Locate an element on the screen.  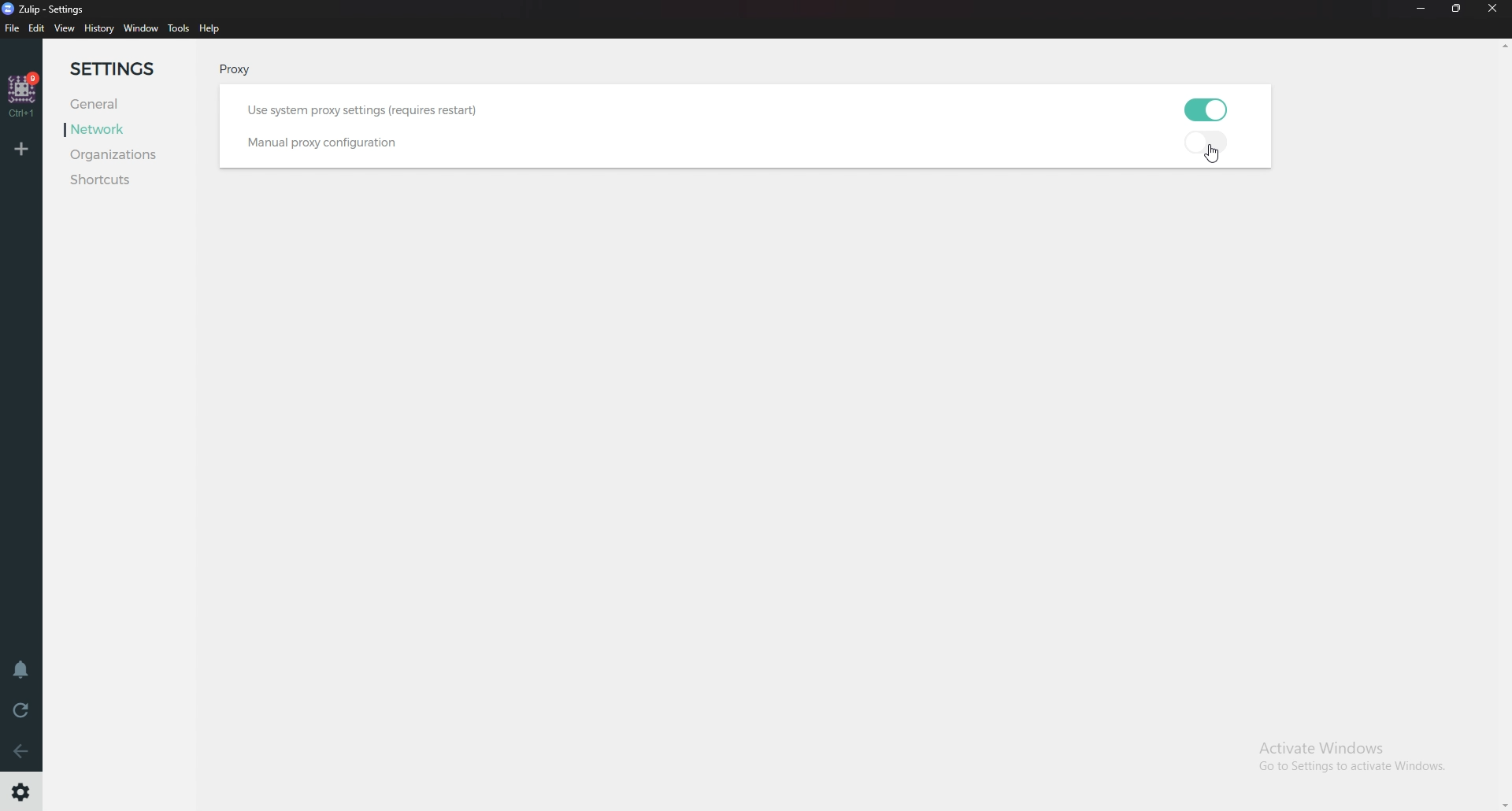
view is located at coordinates (67, 29).